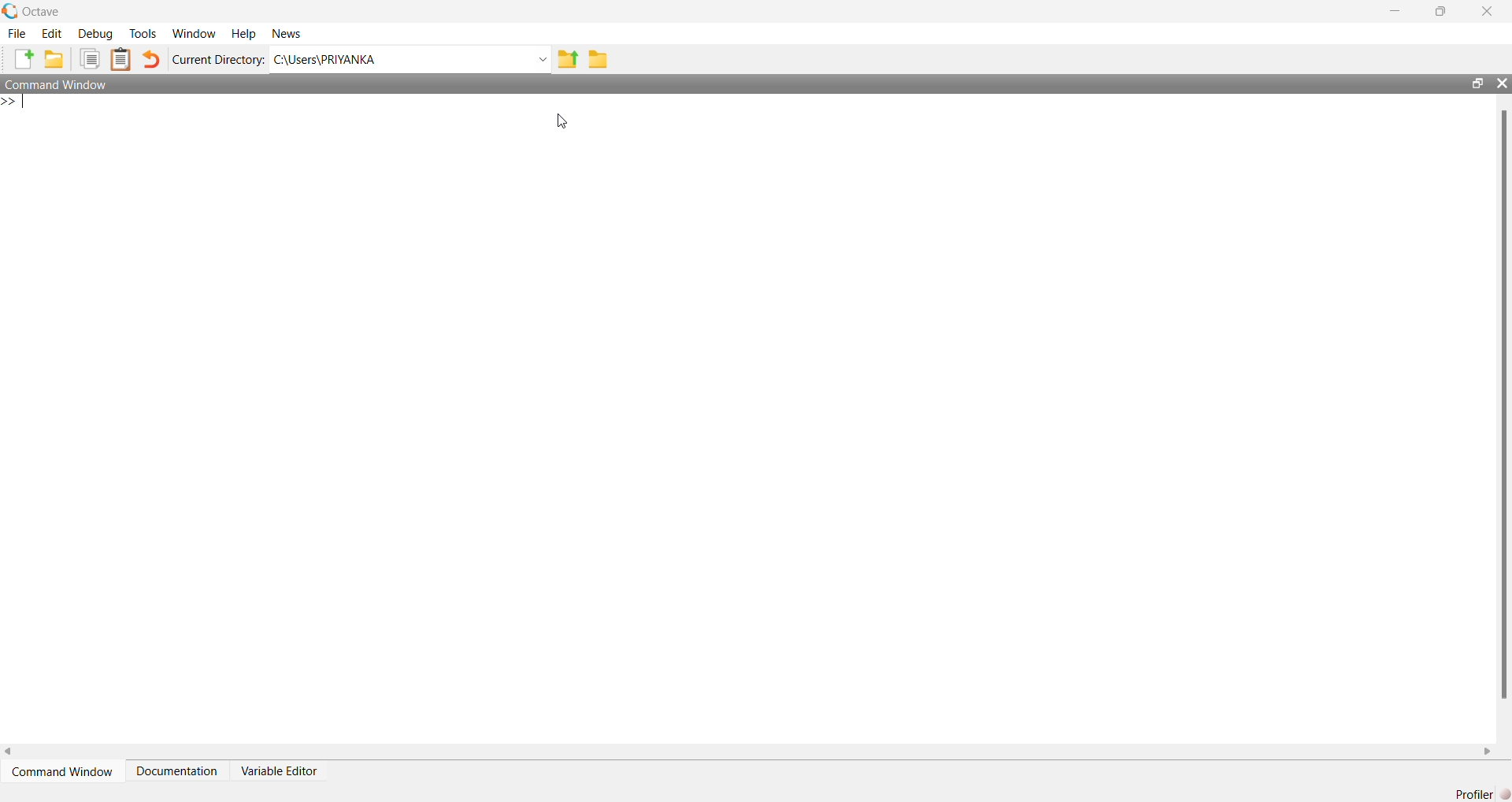  What do you see at coordinates (9, 10) in the screenshot?
I see `logo` at bounding box center [9, 10].